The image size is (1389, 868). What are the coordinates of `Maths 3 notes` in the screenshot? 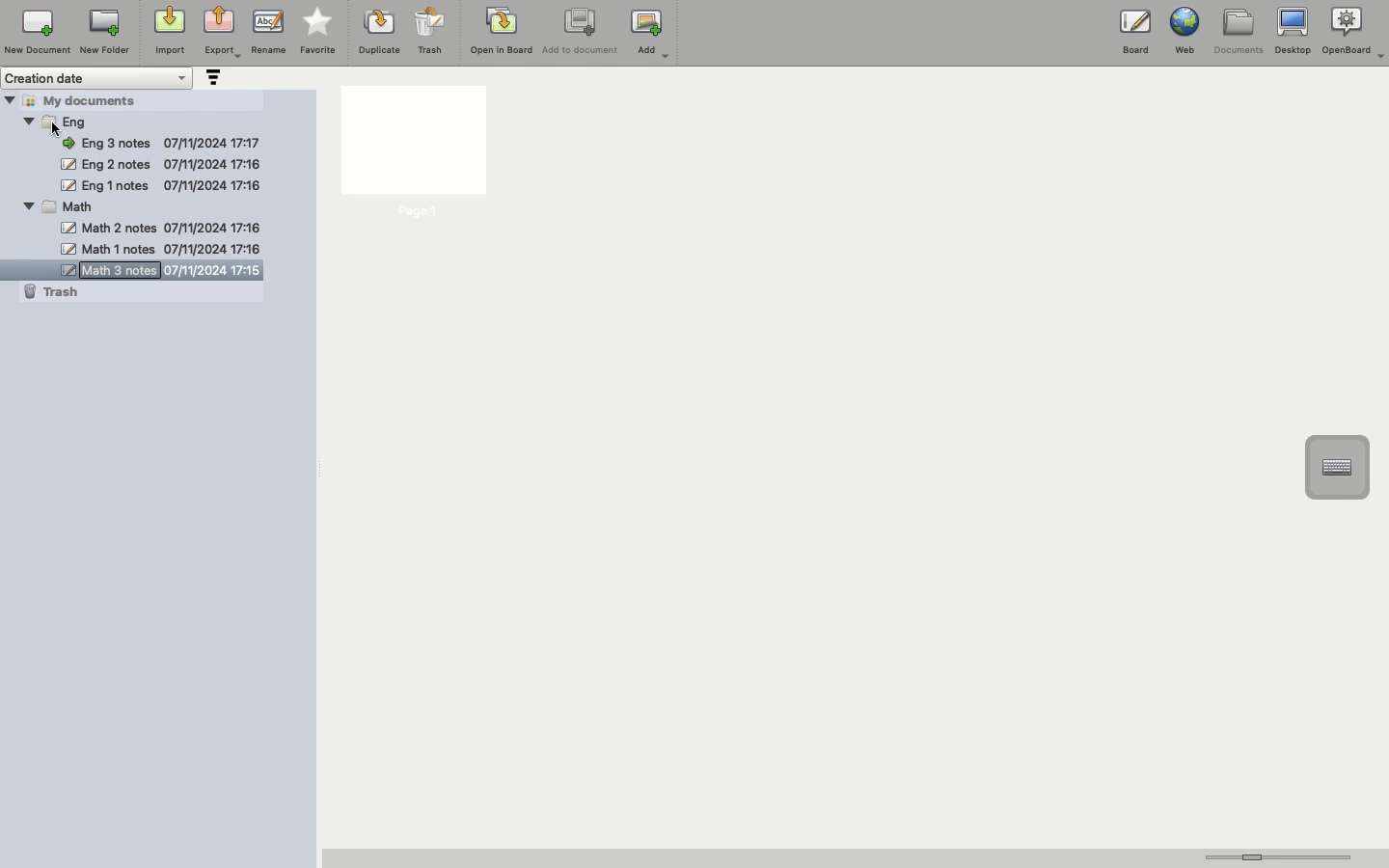 It's located at (122, 121).